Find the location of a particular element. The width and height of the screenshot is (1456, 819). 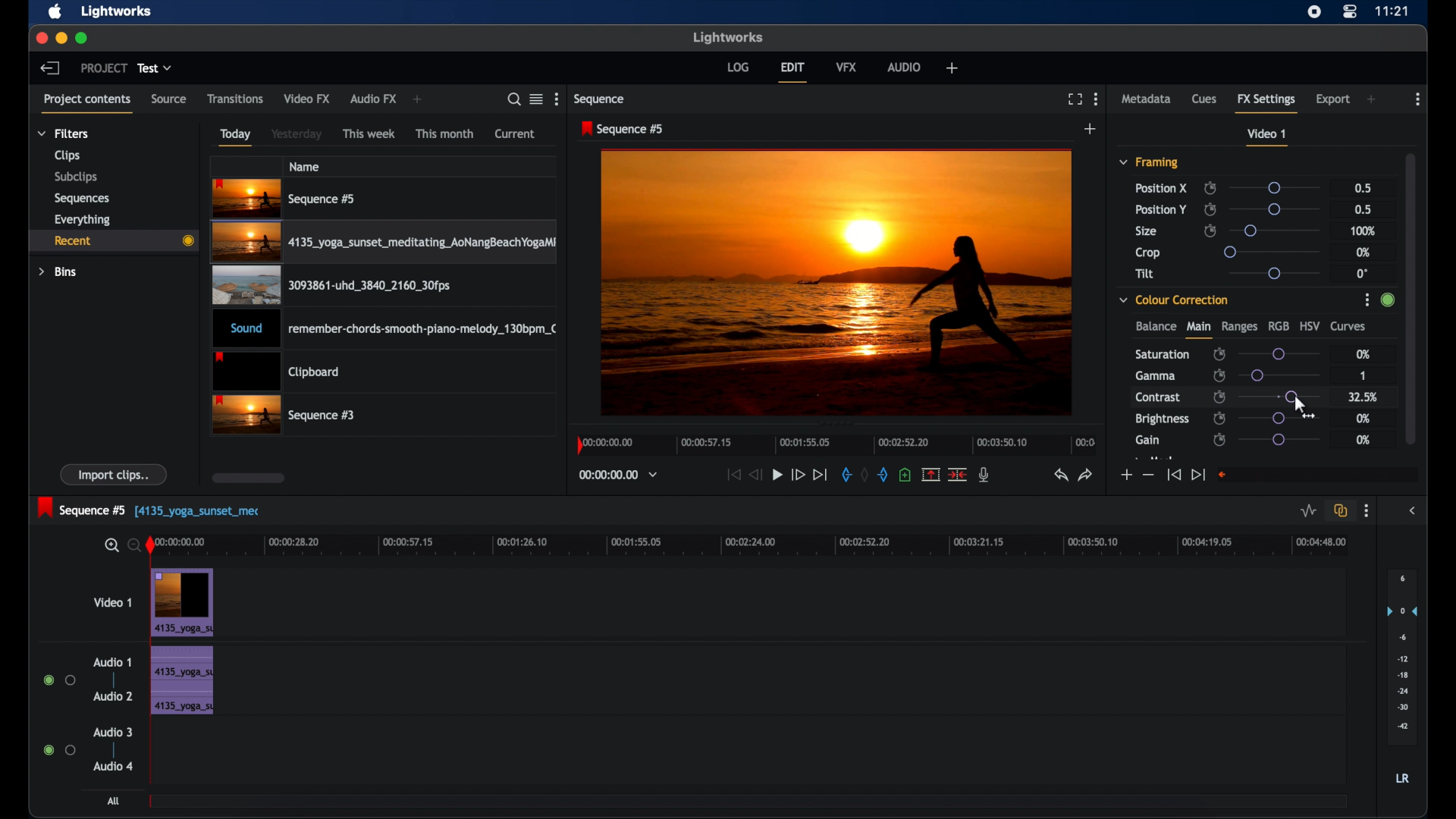

slider is located at coordinates (1273, 188).